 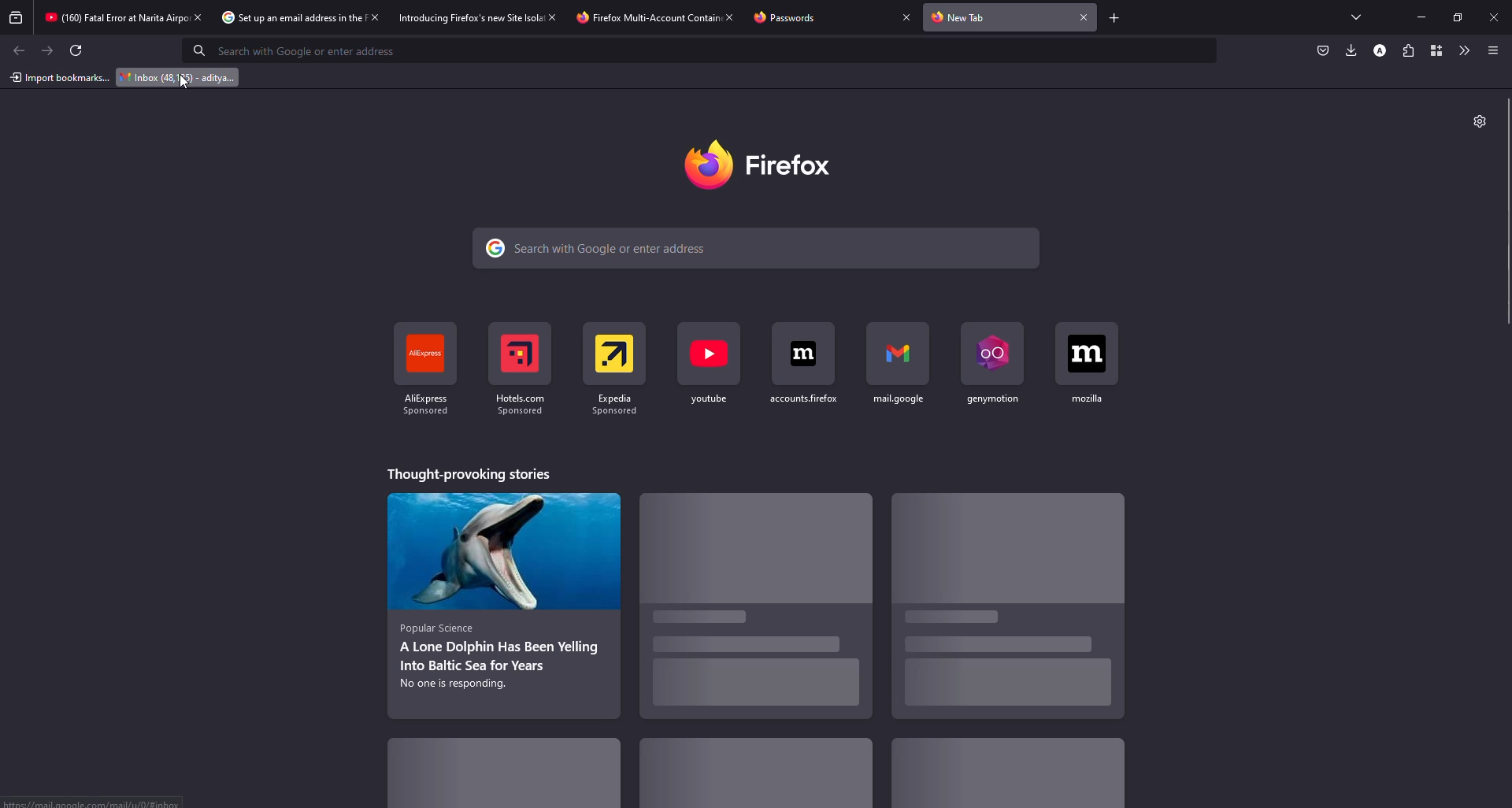 I want to click on accounts.firefox, so click(x=803, y=401).